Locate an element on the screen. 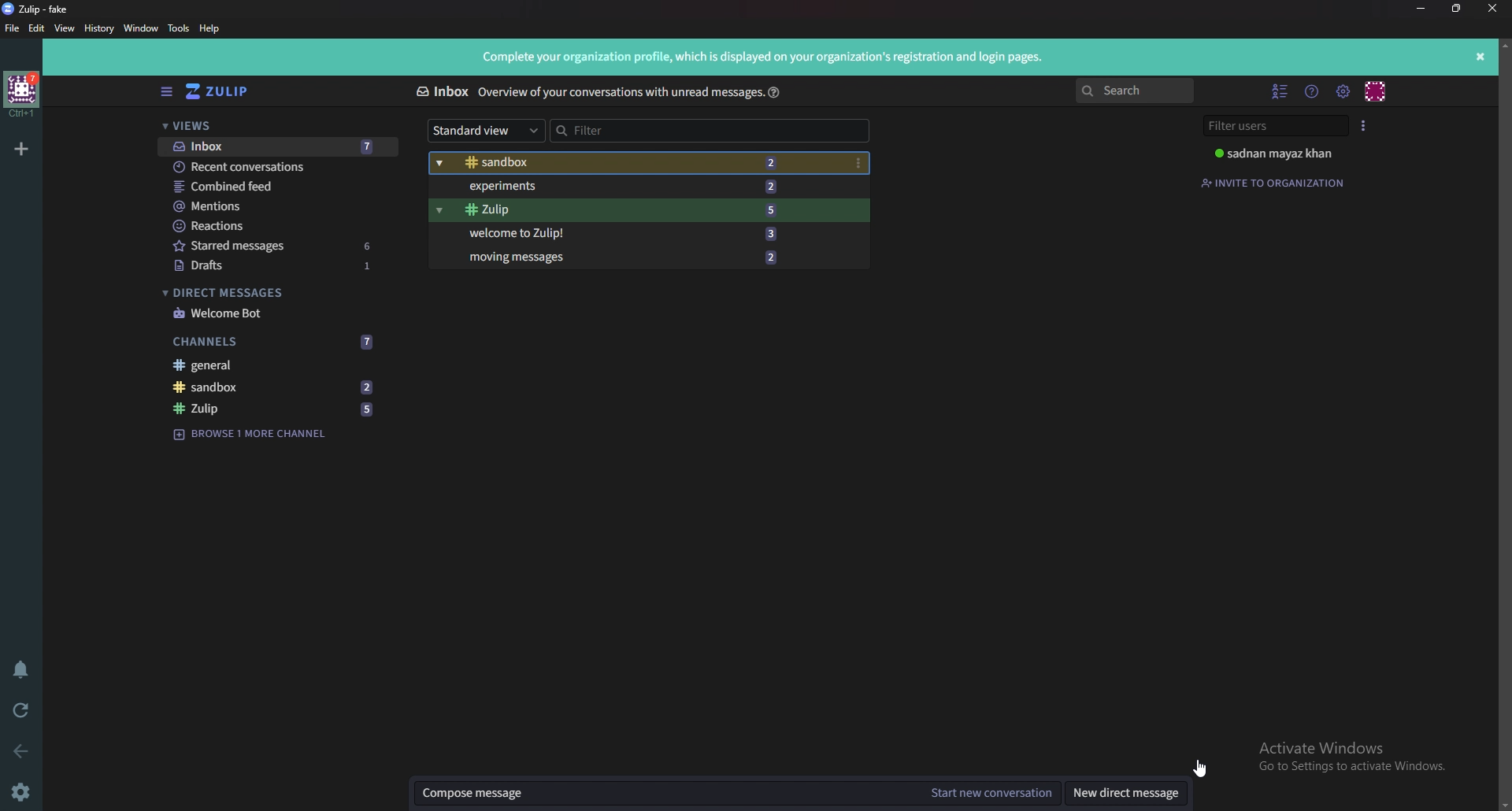 The height and width of the screenshot is (811, 1512). Browse channel is located at coordinates (255, 432).